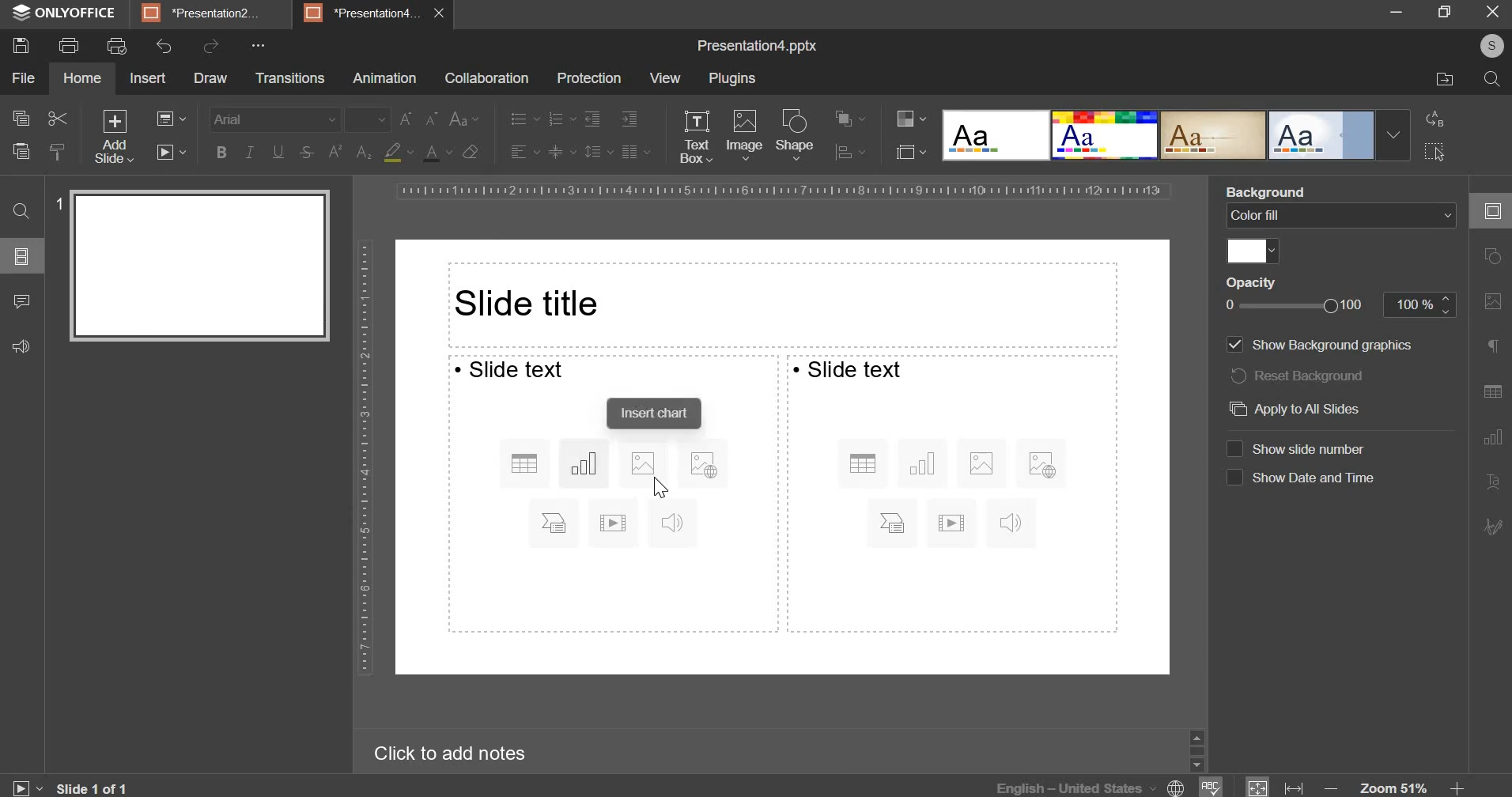 The width and height of the screenshot is (1512, 797). I want to click on apply to all slides, so click(1292, 410).